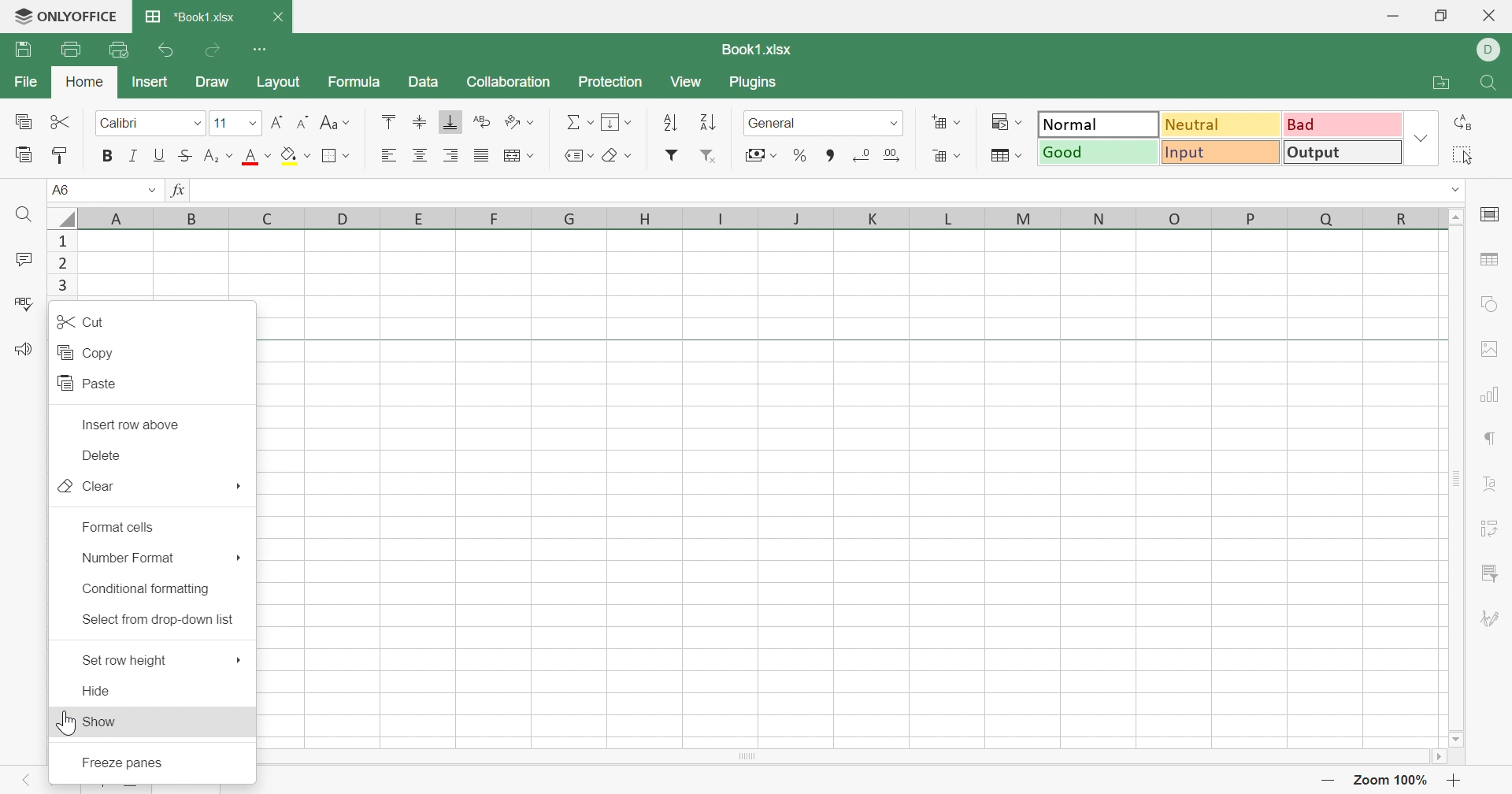 This screenshot has width=1512, height=794. Describe the element at coordinates (238, 661) in the screenshot. I see `More` at that location.